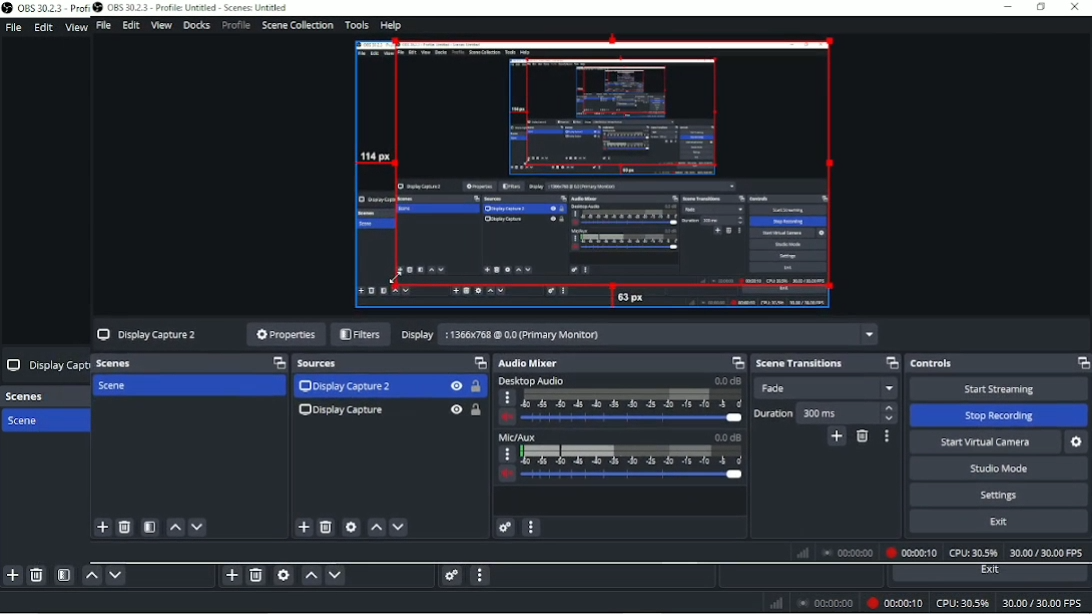 The height and width of the screenshot is (614, 1092). What do you see at coordinates (888, 438) in the screenshot?
I see `Transition properties` at bounding box center [888, 438].